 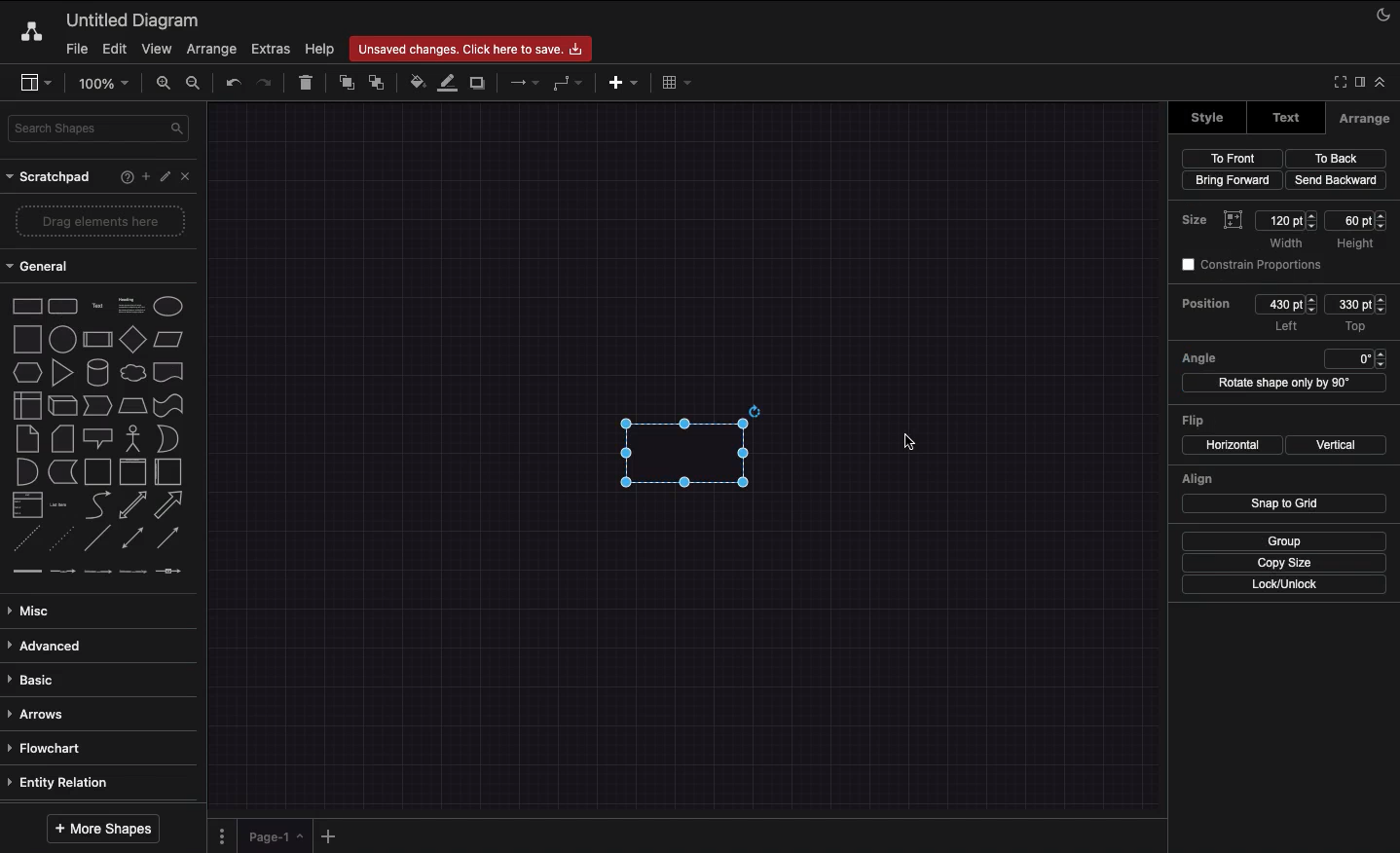 I want to click on Misc, so click(x=29, y=610).